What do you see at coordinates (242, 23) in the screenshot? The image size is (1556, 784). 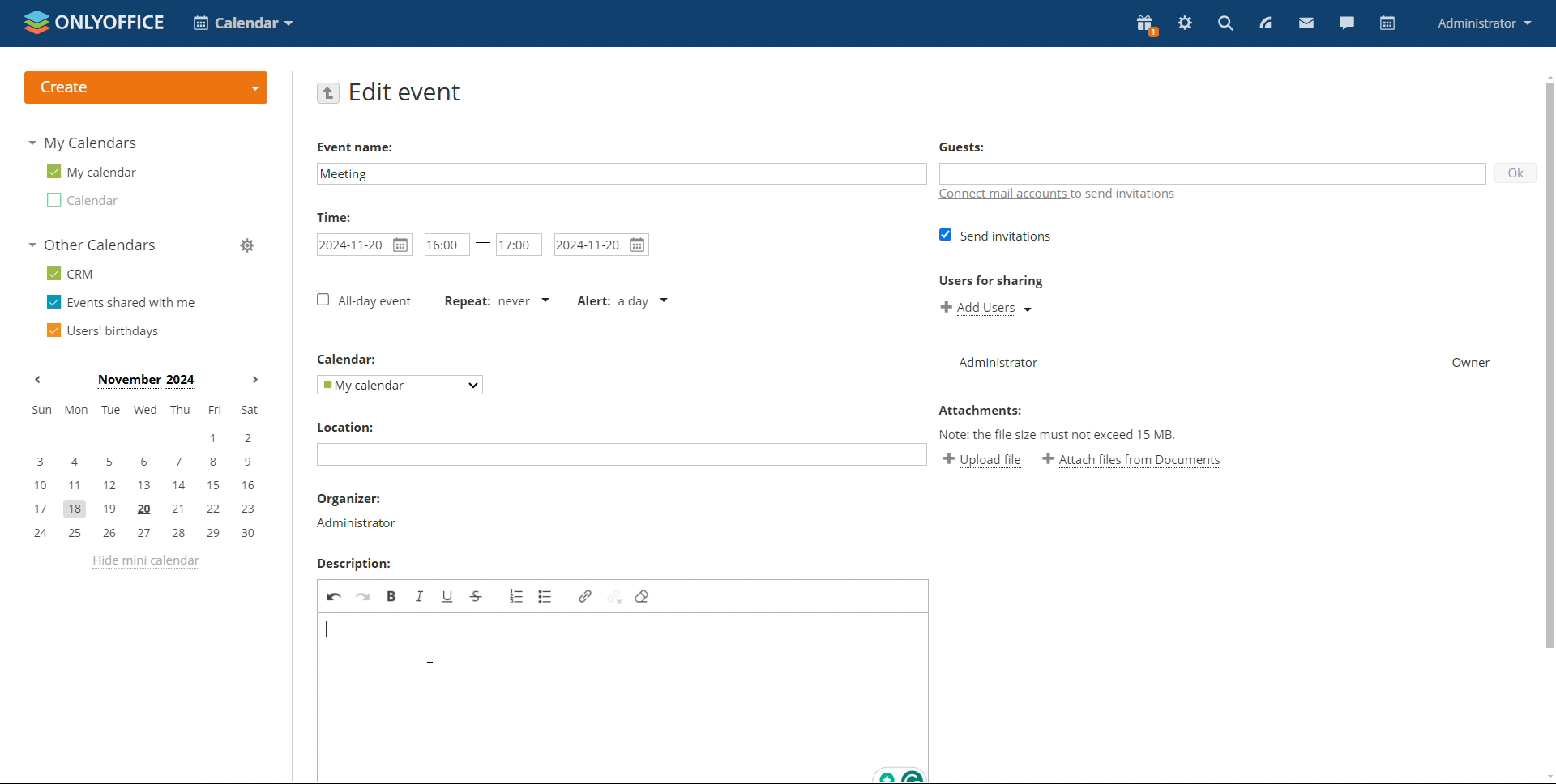 I see `select application` at bounding box center [242, 23].